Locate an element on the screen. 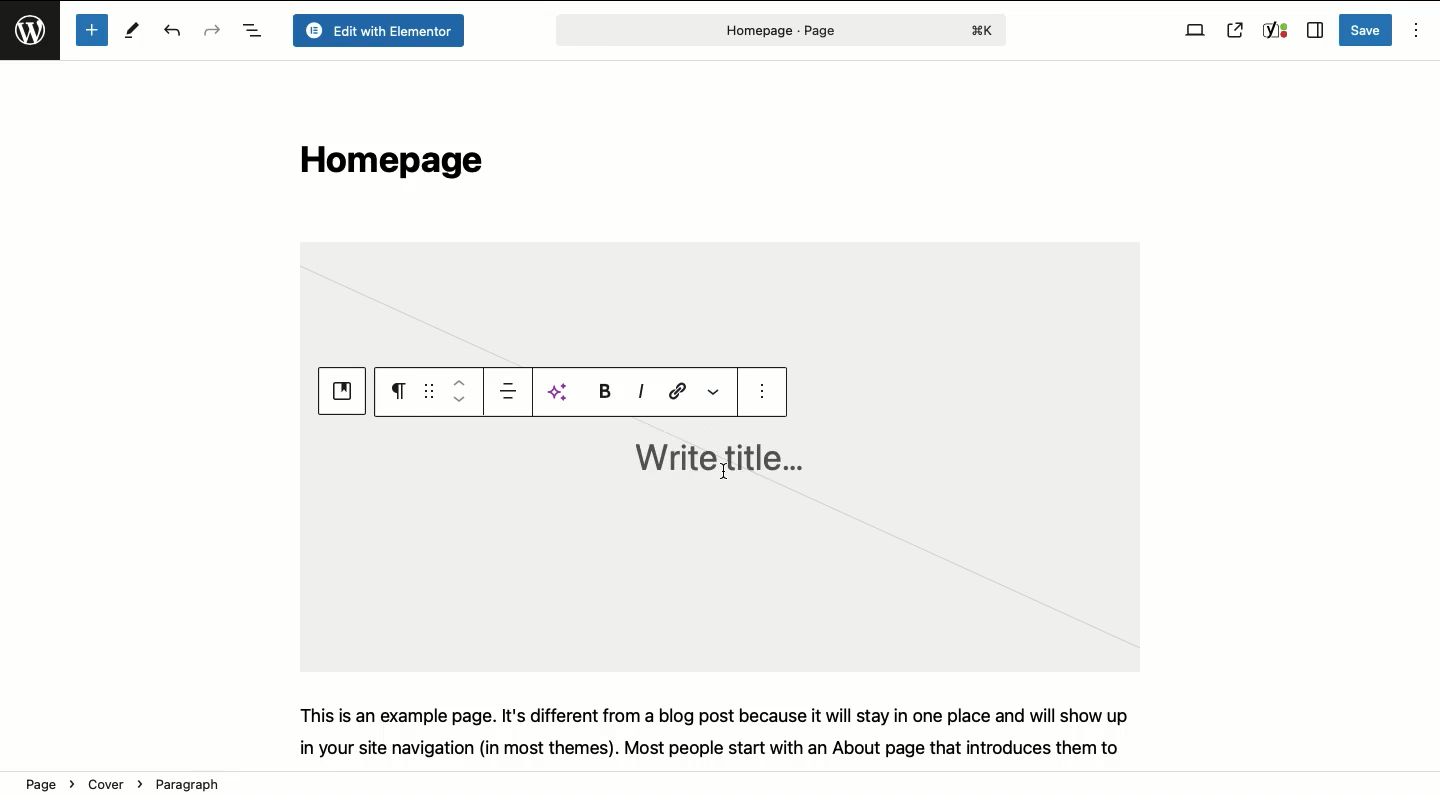 This screenshot has height=794, width=1440. Page is located at coordinates (778, 30).